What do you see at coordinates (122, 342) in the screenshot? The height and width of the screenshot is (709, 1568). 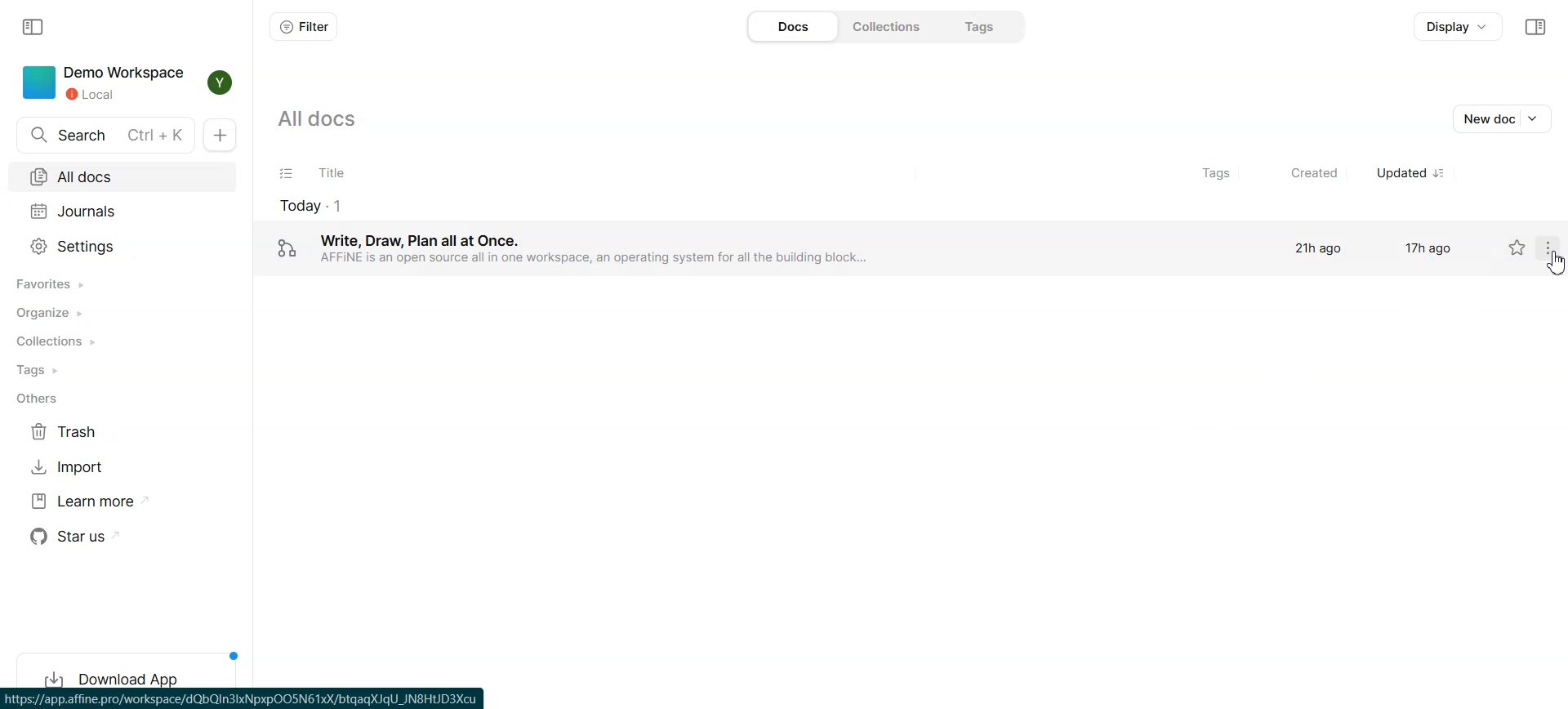 I see `Collections` at bounding box center [122, 342].